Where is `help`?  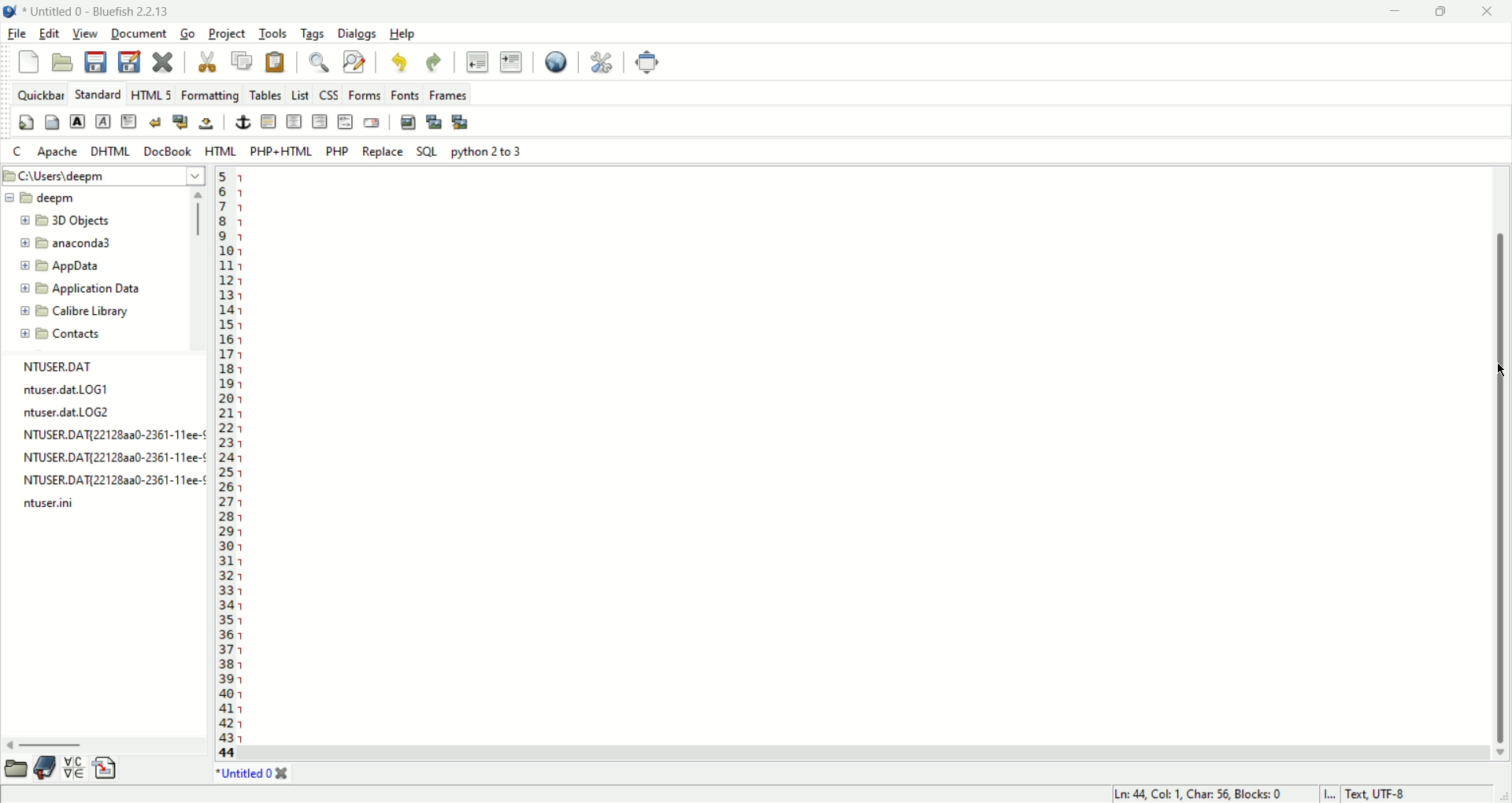 help is located at coordinates (406, 34).